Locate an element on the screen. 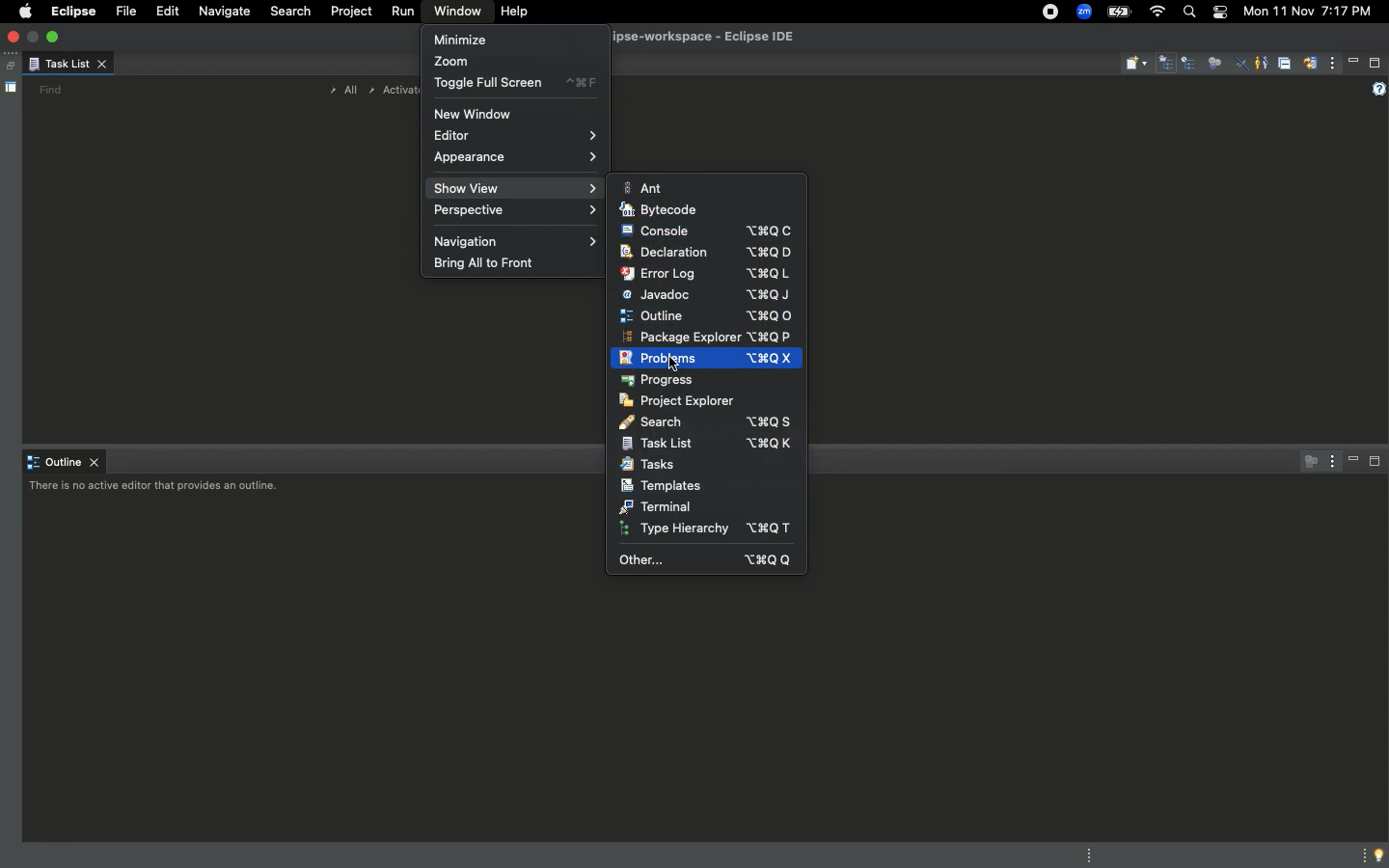 Image resolution: width=1389 pixels, height=868 pixels. Outline is located at coordinates (65, 463).